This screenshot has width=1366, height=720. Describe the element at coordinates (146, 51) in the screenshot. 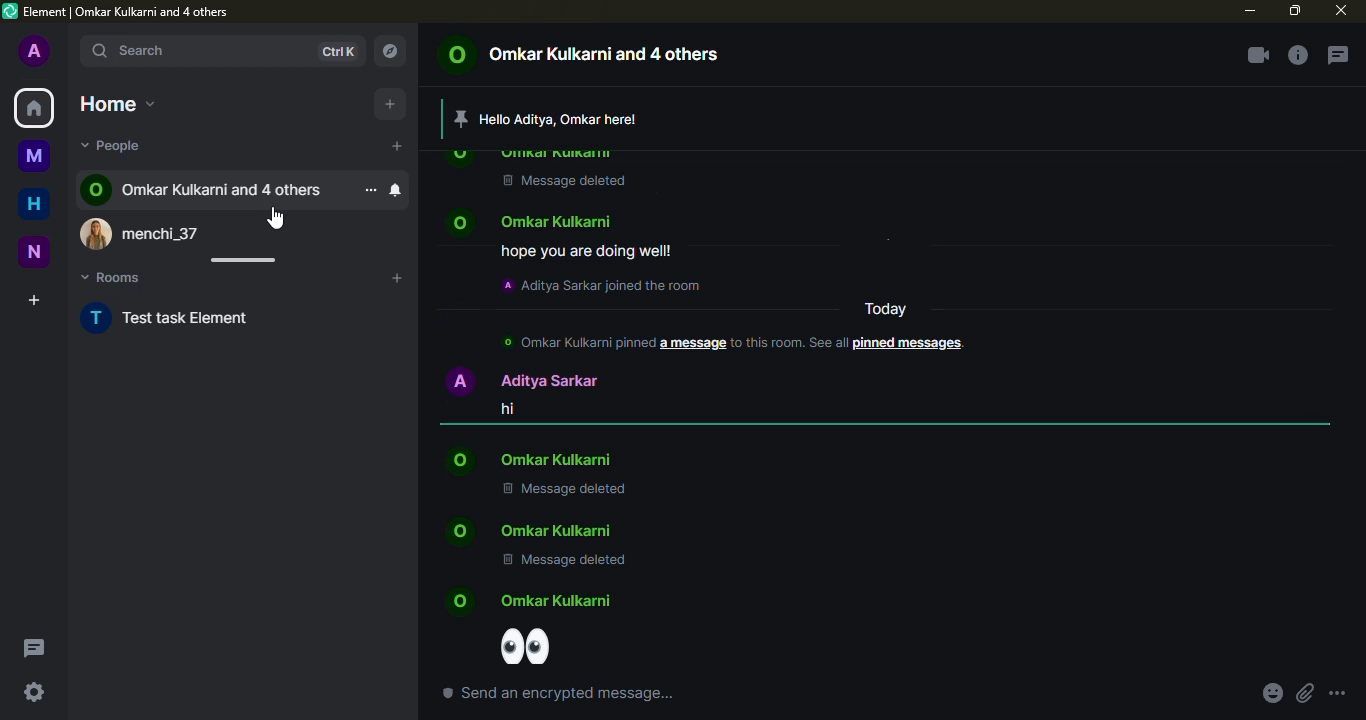

I see `search` at that location.